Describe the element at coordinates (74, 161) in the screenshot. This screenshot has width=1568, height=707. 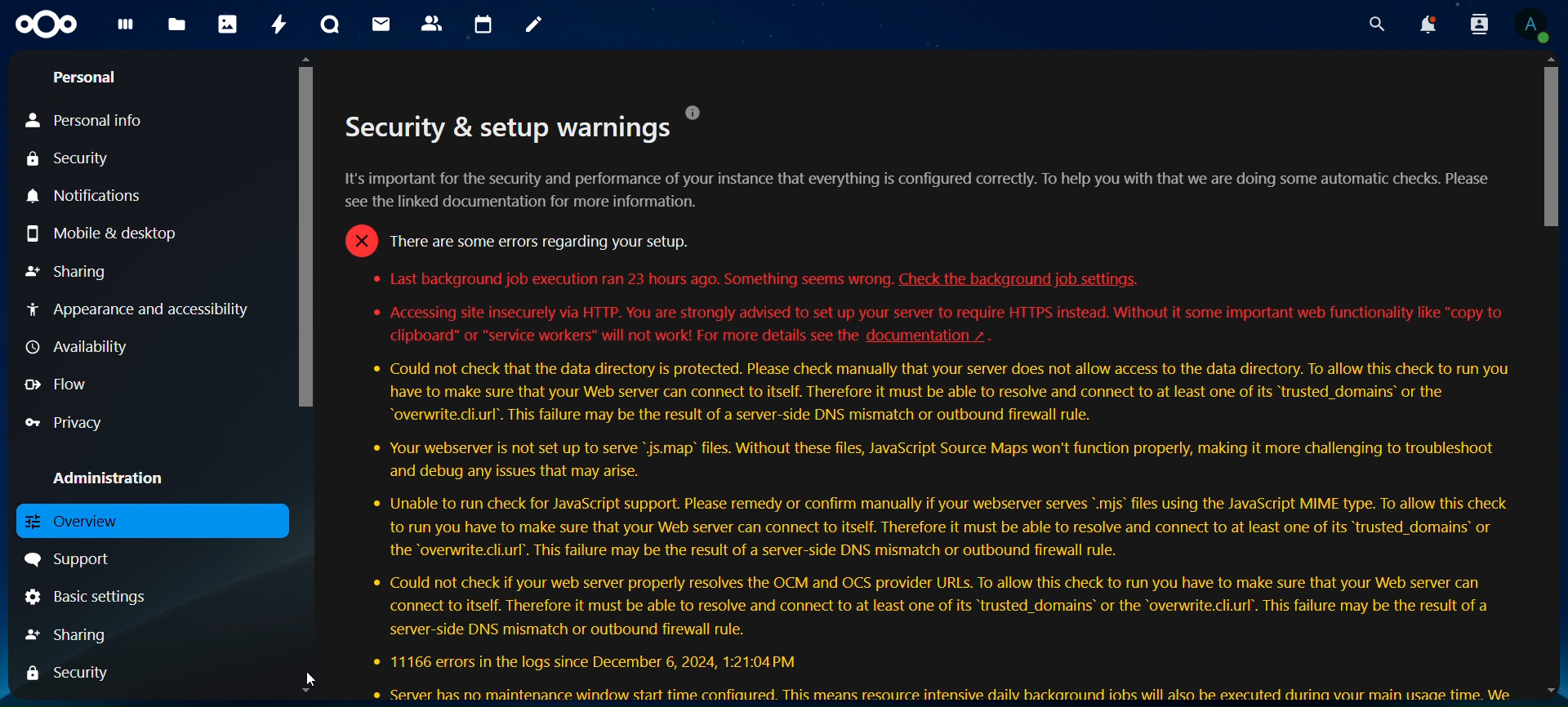
I see `security` at that location.